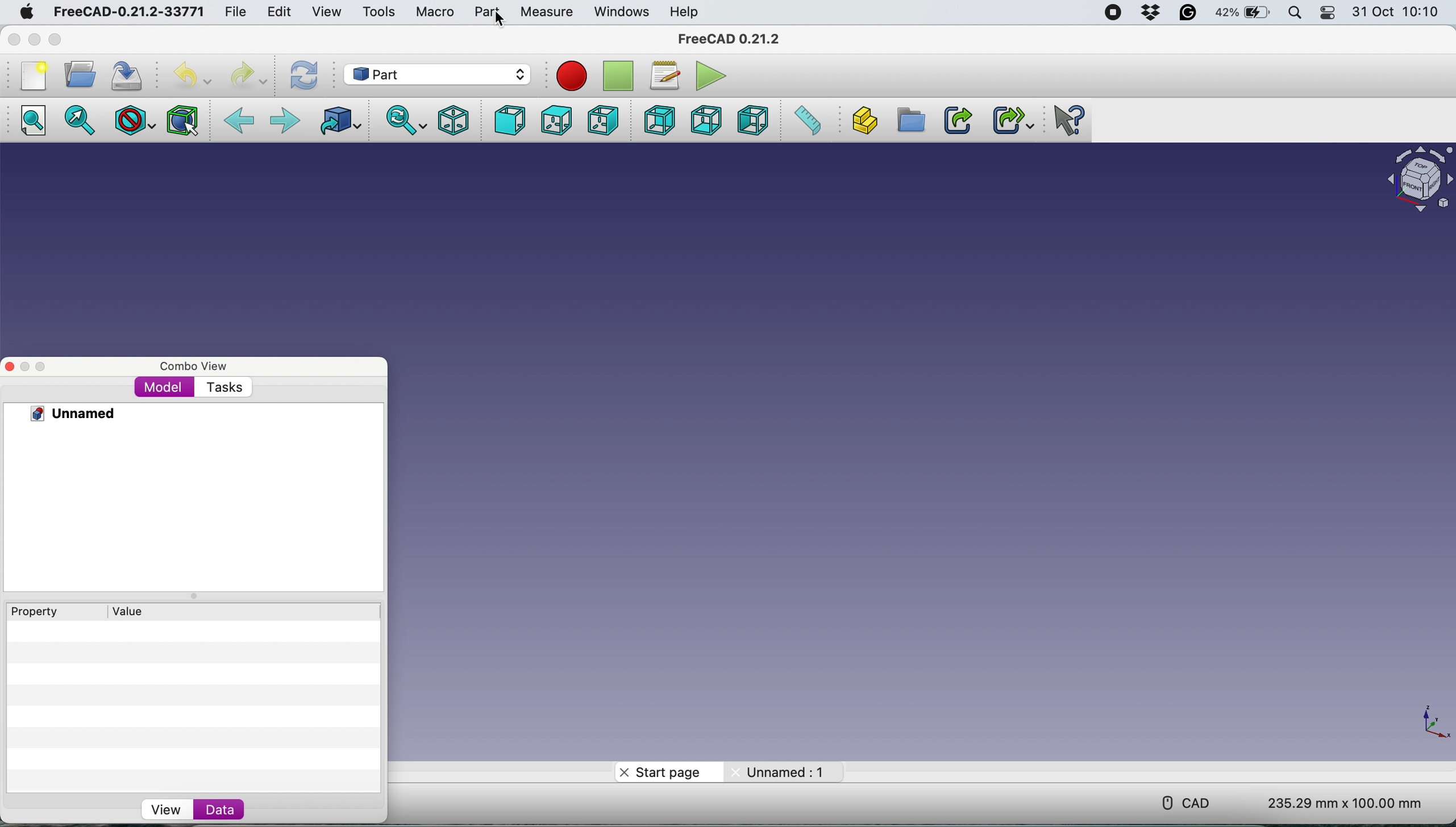  What do you see at coordinates (33, 75) in the screenshot?
I see `New` at bounding box center [33, 75].